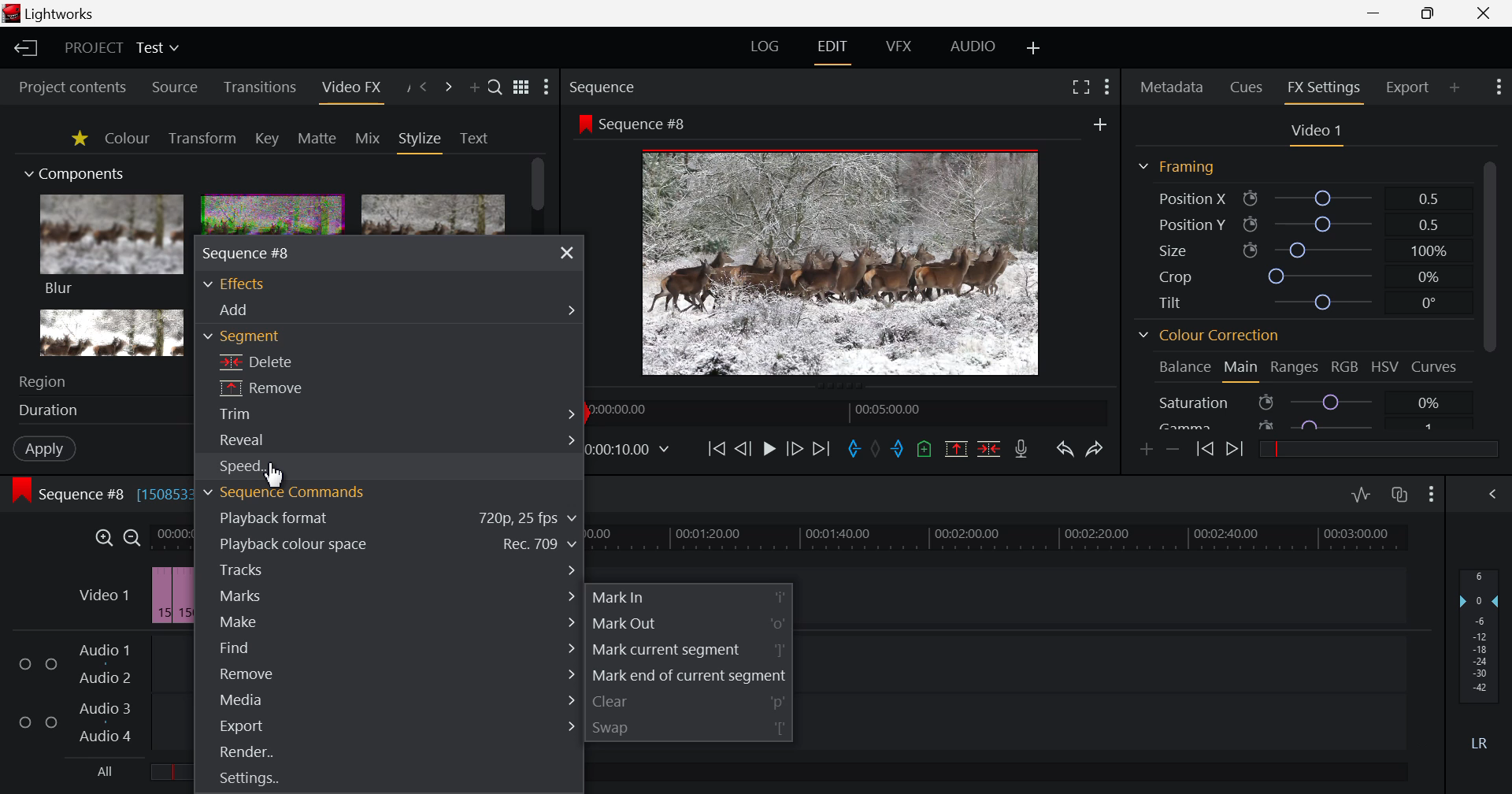 Image resolution: width=1512 pixels, height=794 pixels. What do you see at coordinates (538, 187) in the screenshot?
I see `Scroll Bar` at bounding box center [538, 187].